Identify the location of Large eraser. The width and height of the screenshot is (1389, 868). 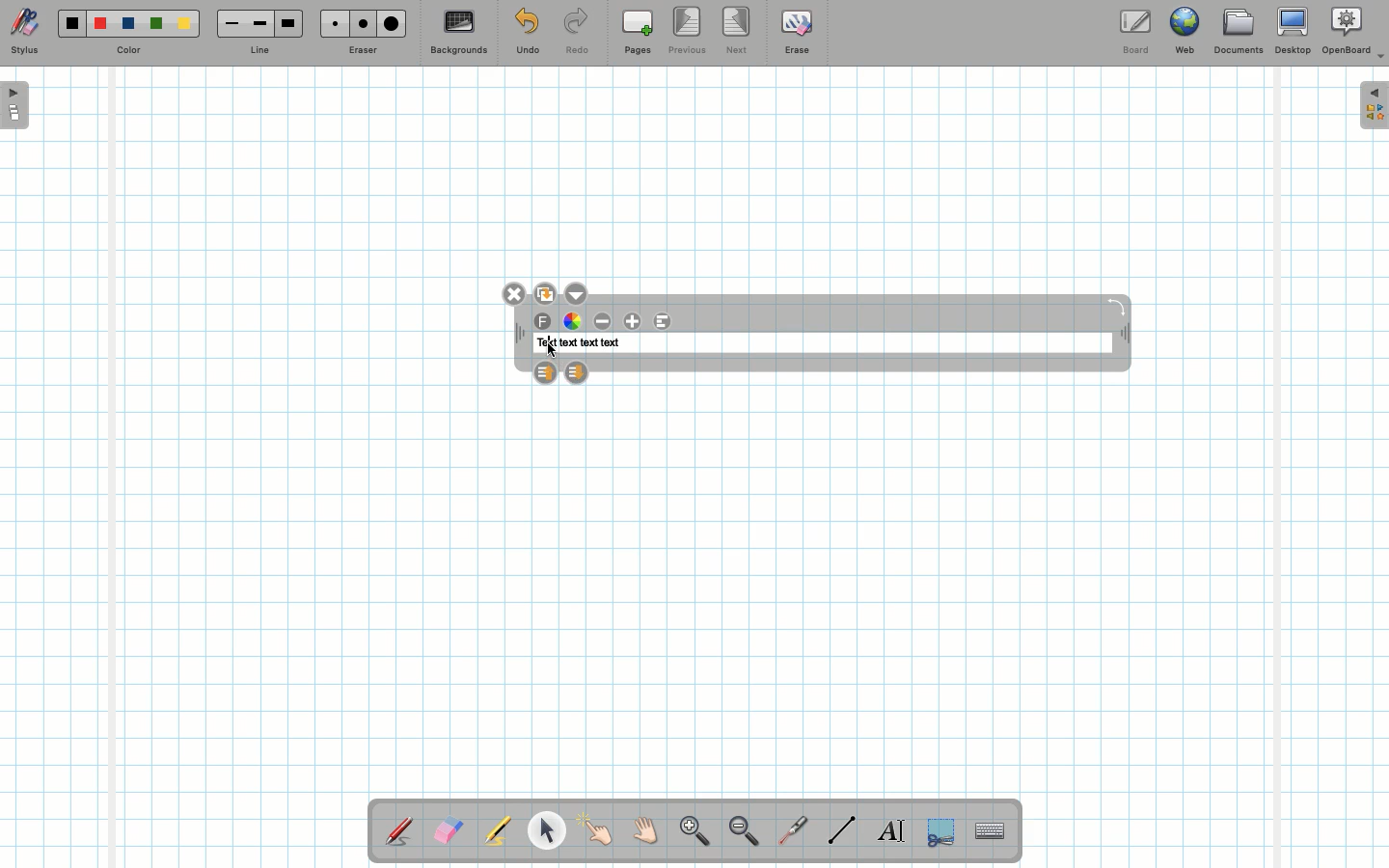
(392, 23).